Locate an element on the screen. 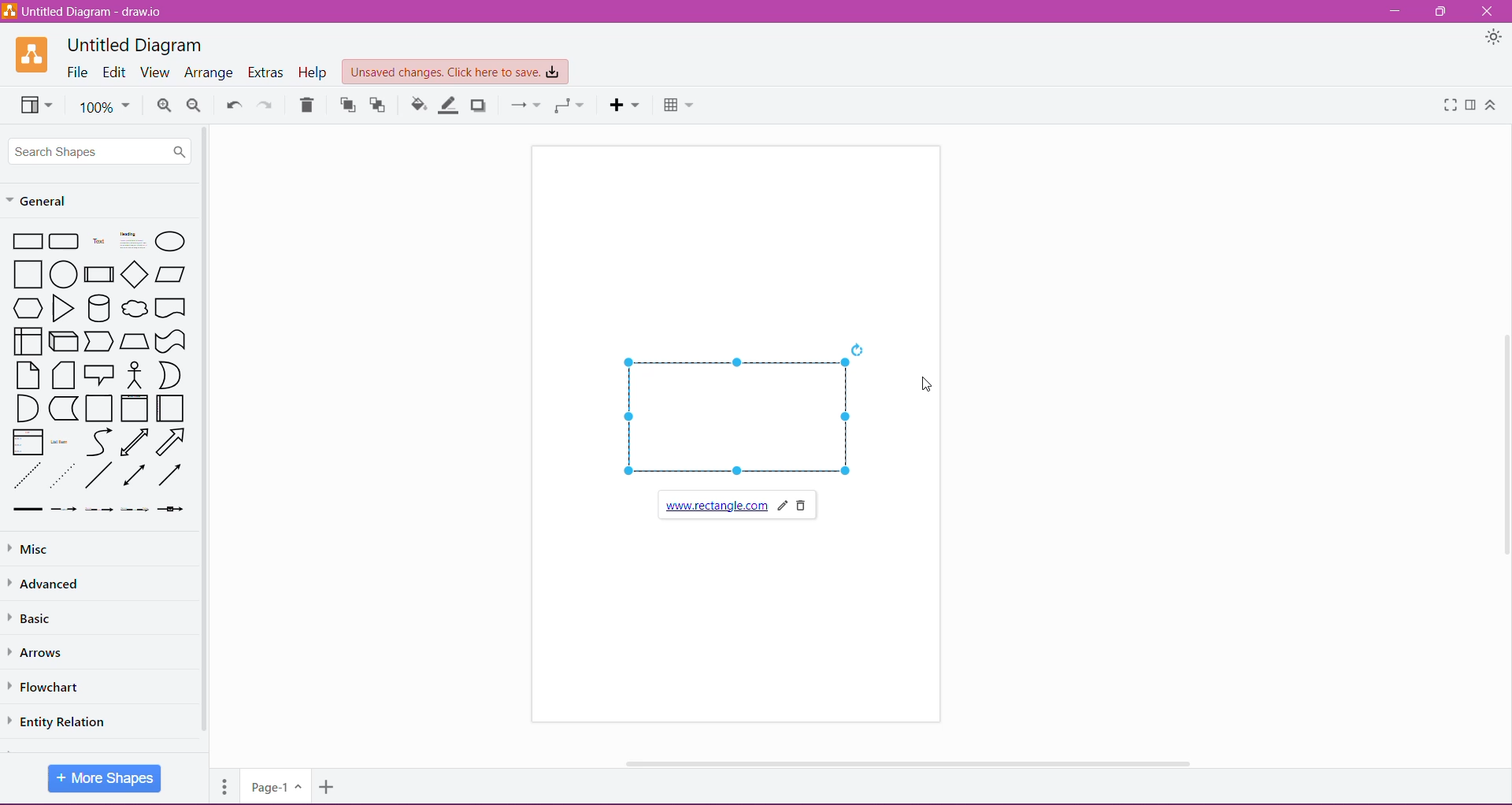 This screenshot has width=1512, height=805. general is located at coordinates (56, 200).